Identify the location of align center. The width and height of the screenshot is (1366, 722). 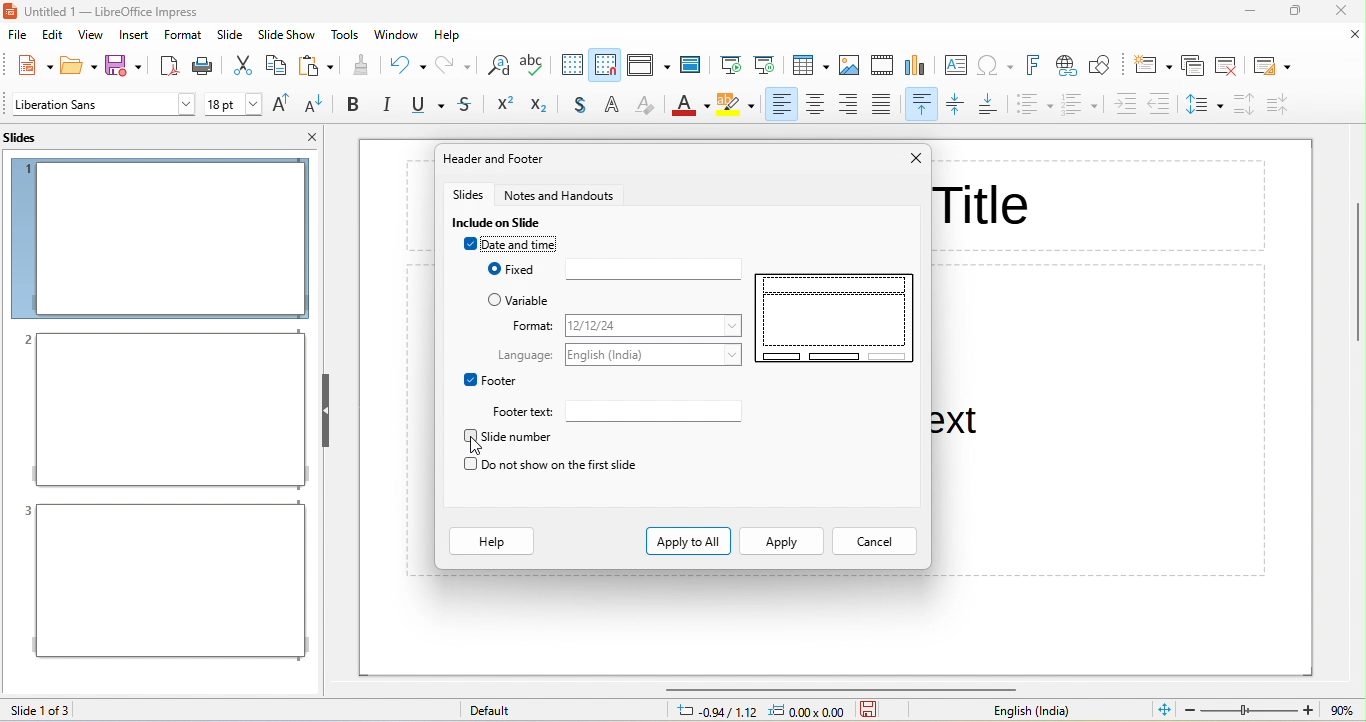
(816, 105).